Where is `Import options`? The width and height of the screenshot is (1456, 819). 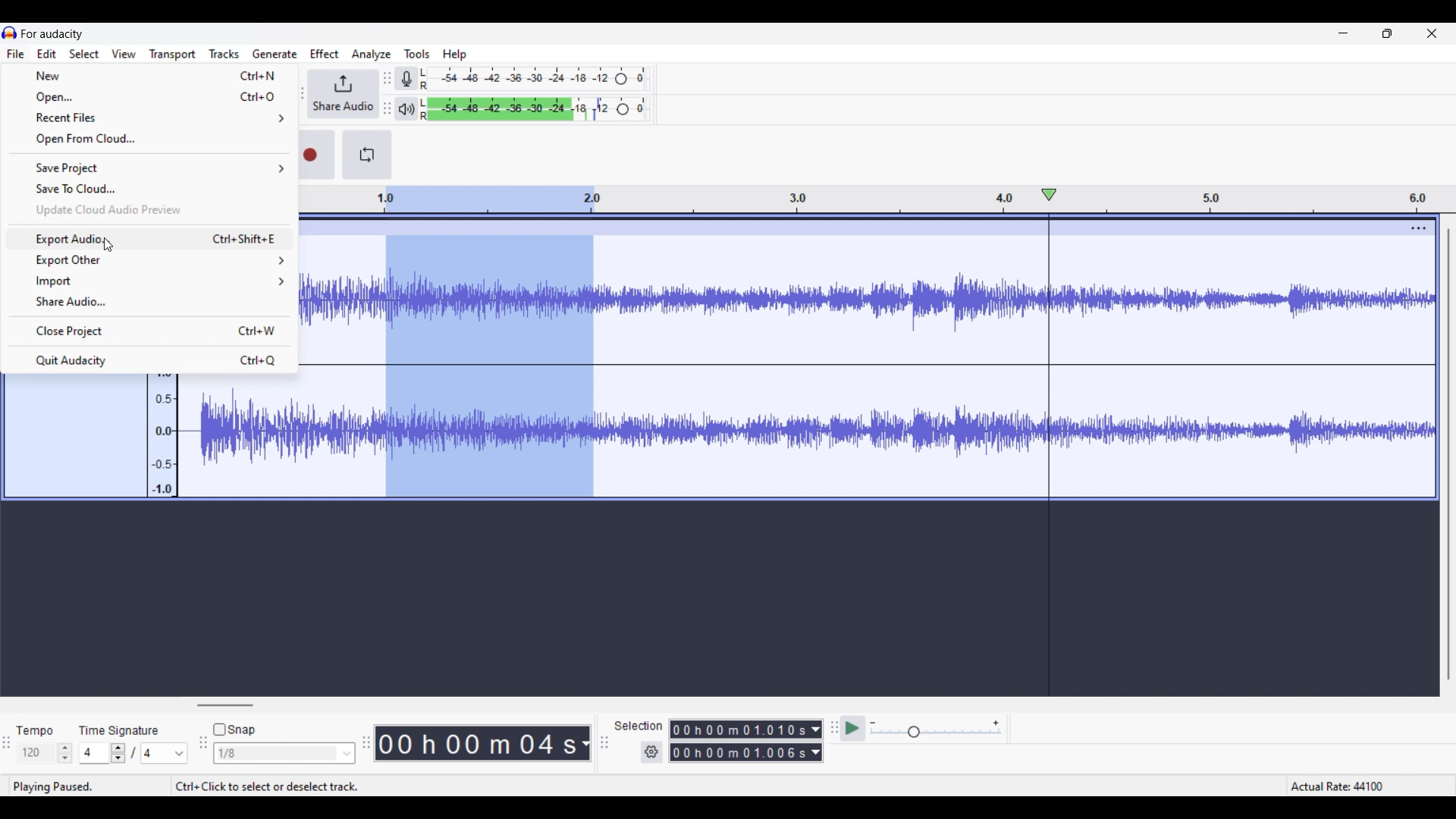 Import options is located at coordinates (151, 282).